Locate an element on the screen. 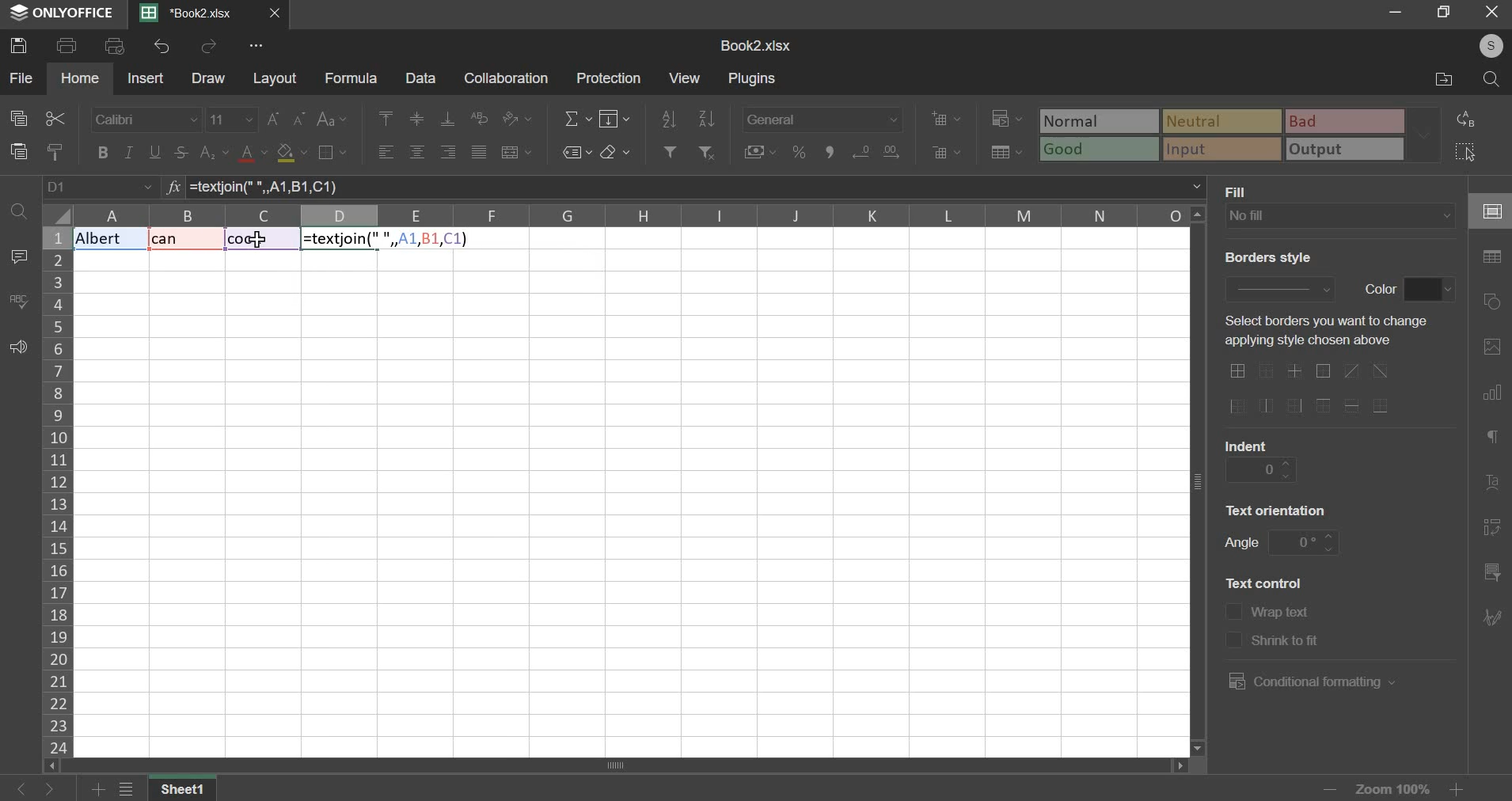 This screenshot has width=1512, height=801. text is located at coordinates (1241, 545).